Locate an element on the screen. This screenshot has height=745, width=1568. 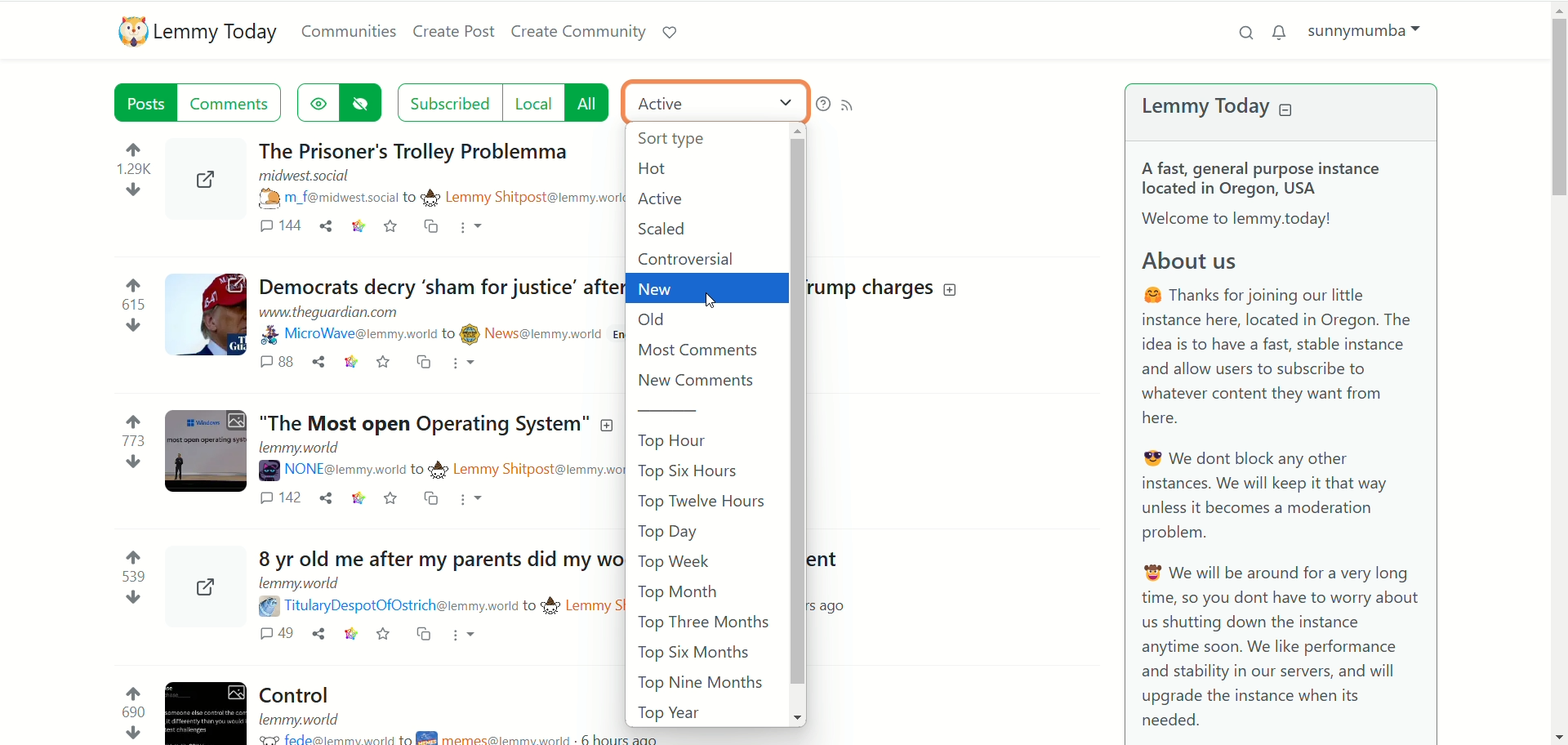
create community is located at coordinates (579, 29).